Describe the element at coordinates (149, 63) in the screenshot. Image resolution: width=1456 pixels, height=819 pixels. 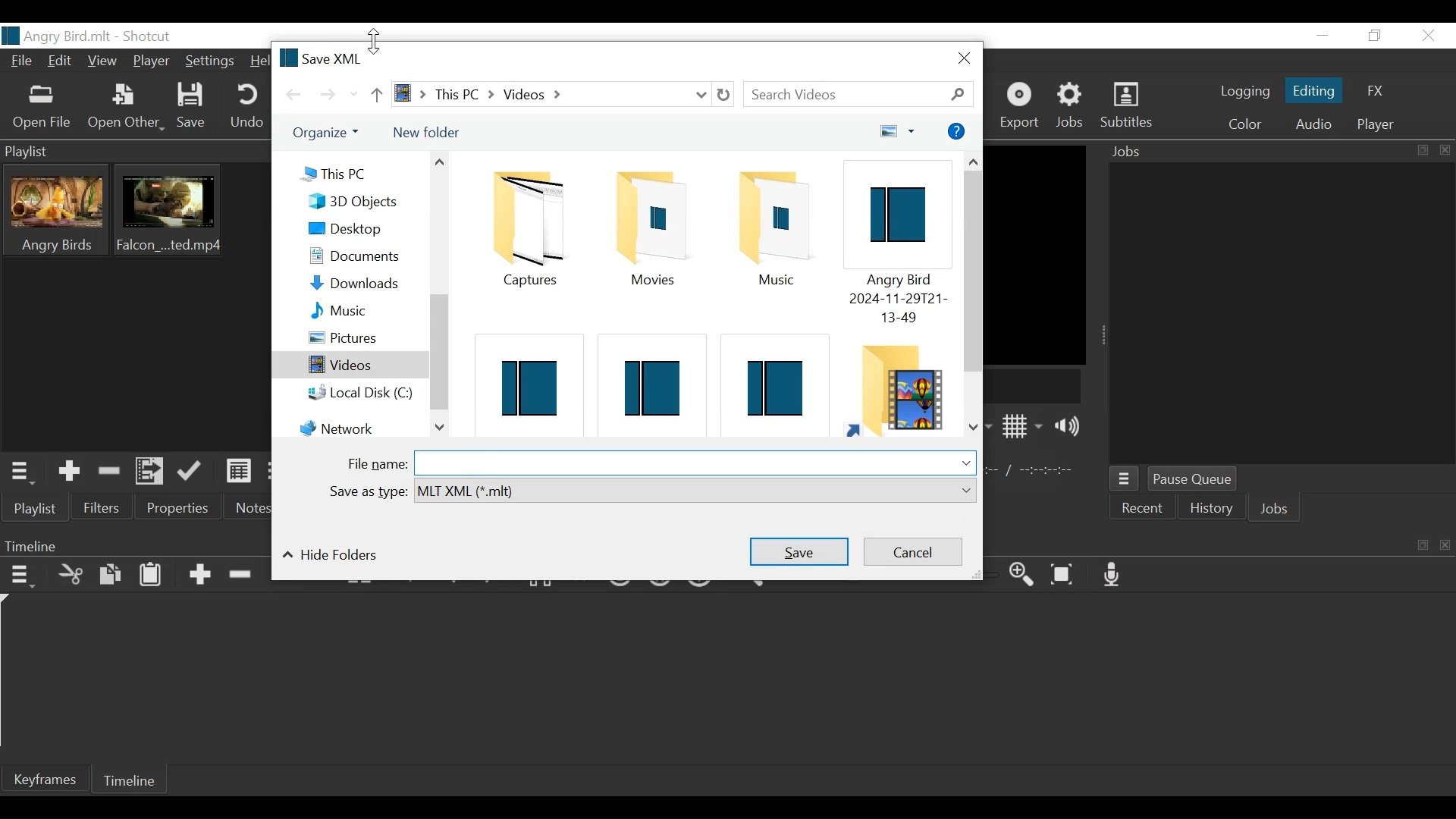
I see `Player` at that location.